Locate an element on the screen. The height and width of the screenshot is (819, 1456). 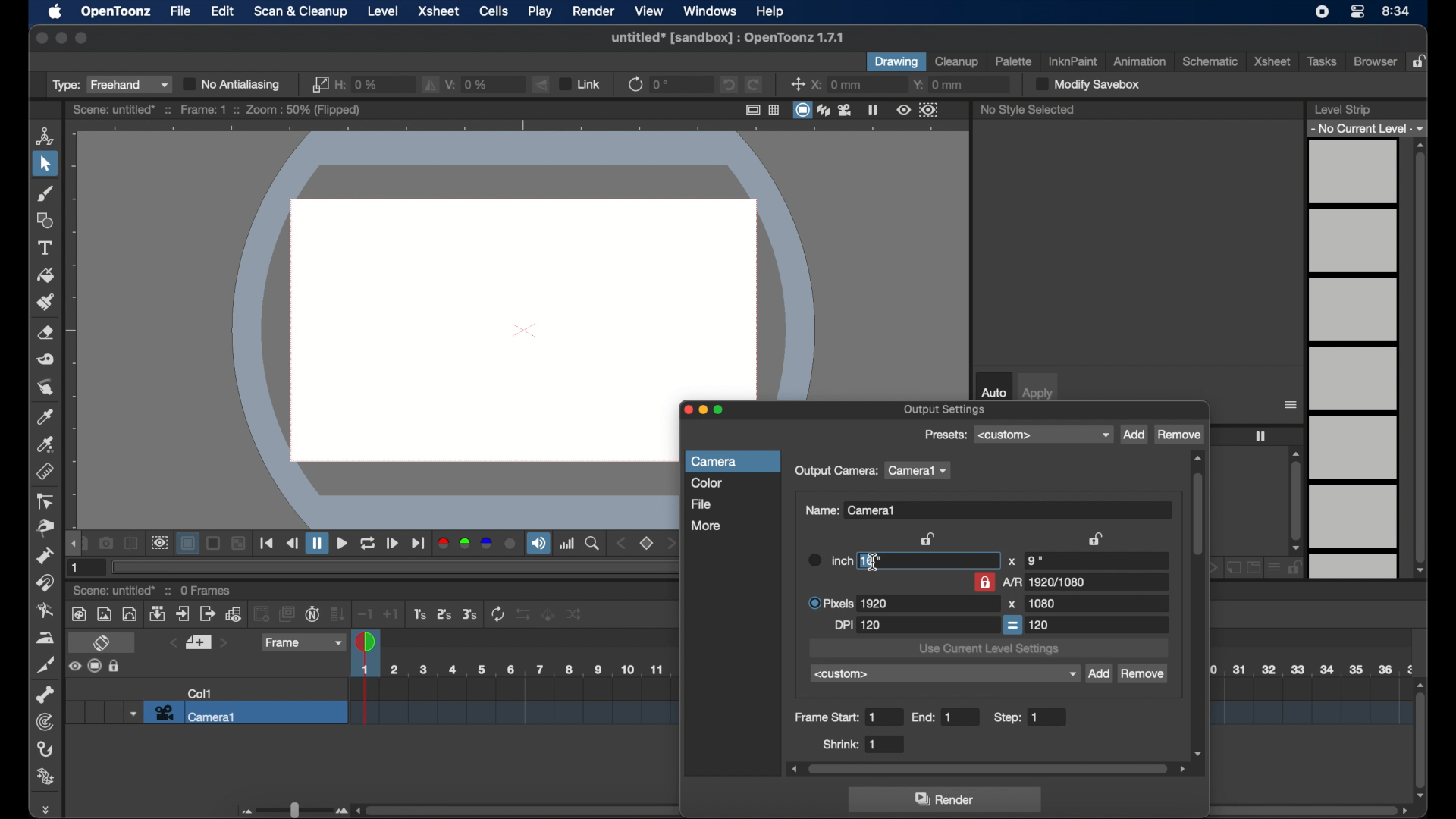
h is located at coordinates (359, 83).